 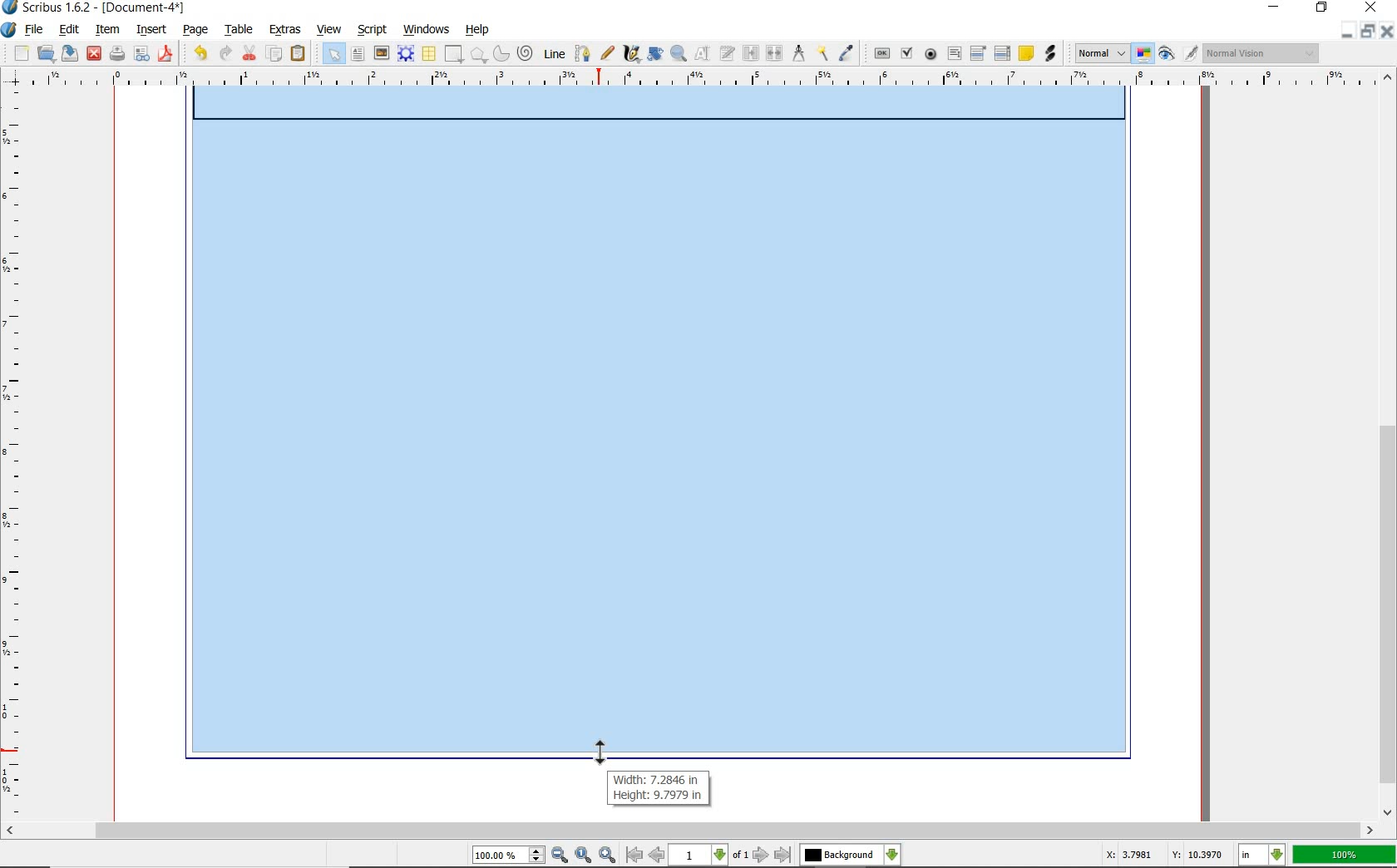 I want to click on zoom in or zoom out, so click(x=678, y=55).